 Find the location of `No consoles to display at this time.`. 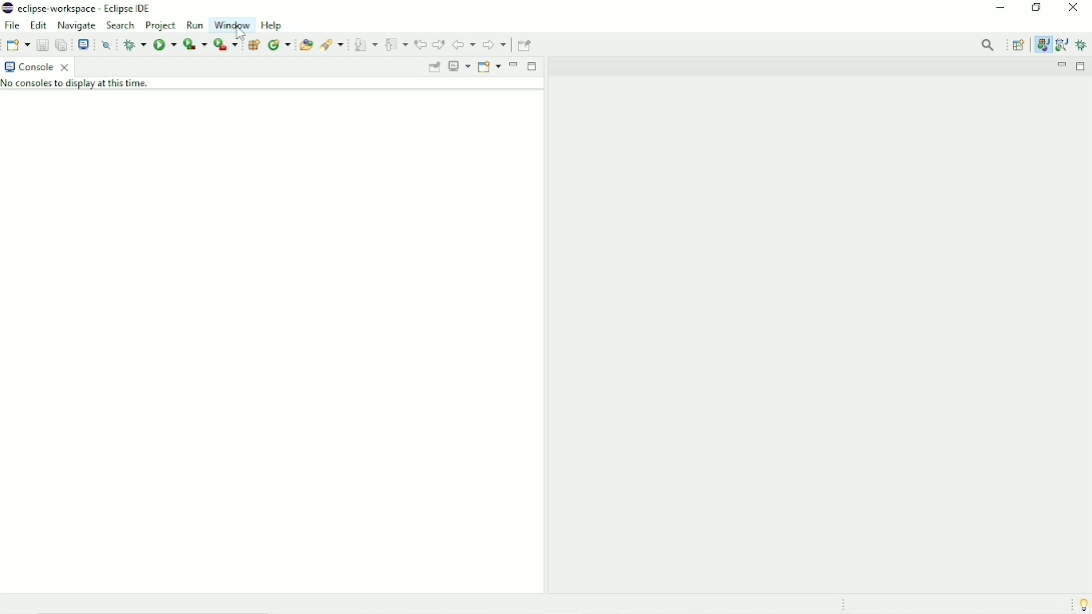

No consoles to display at this time. is located at coordinates (83, 86).